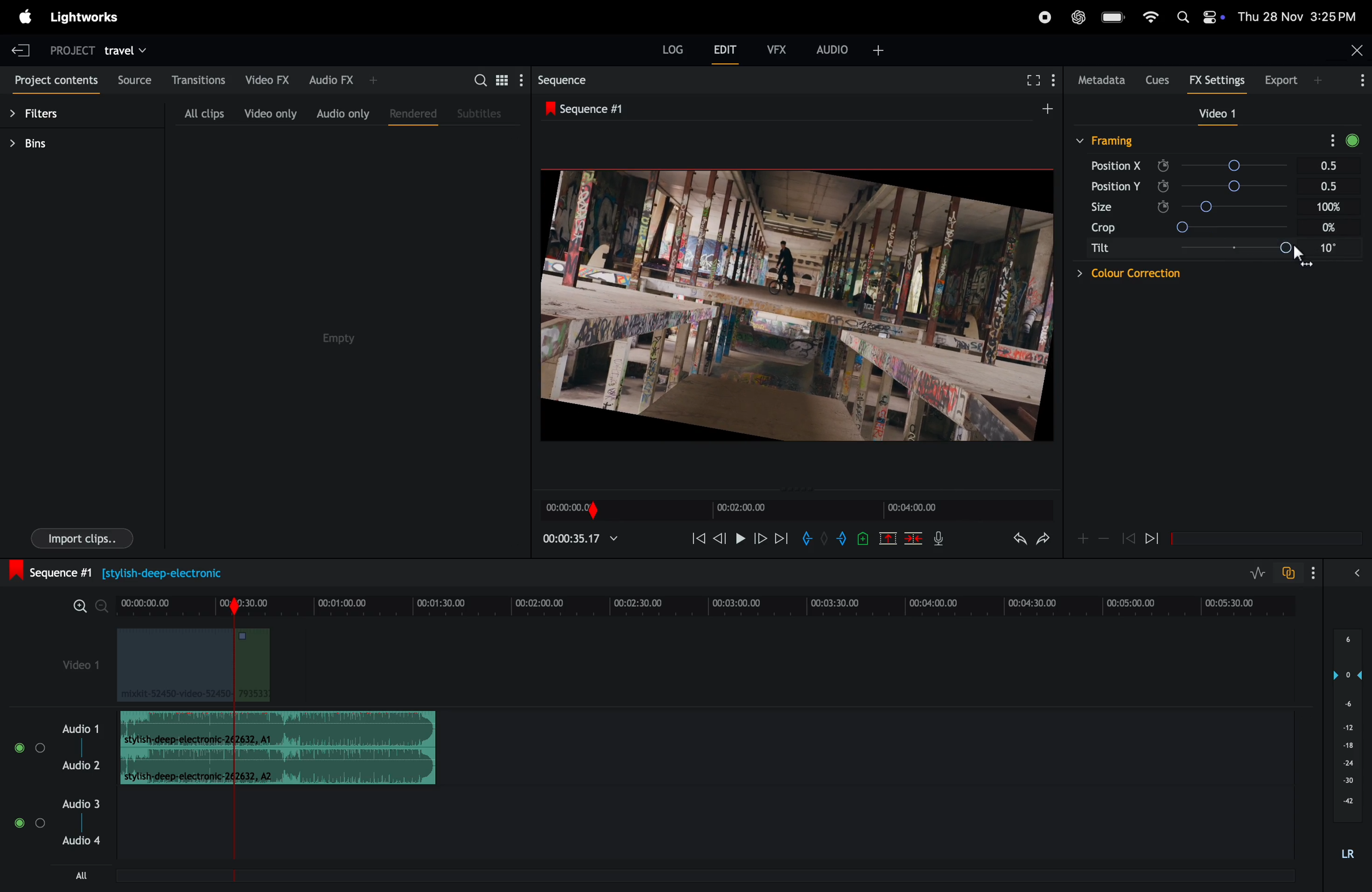  What do you see at coordinates (340, 113) in the screenshot?
I see `audio only` at bounding box center [340, 113].